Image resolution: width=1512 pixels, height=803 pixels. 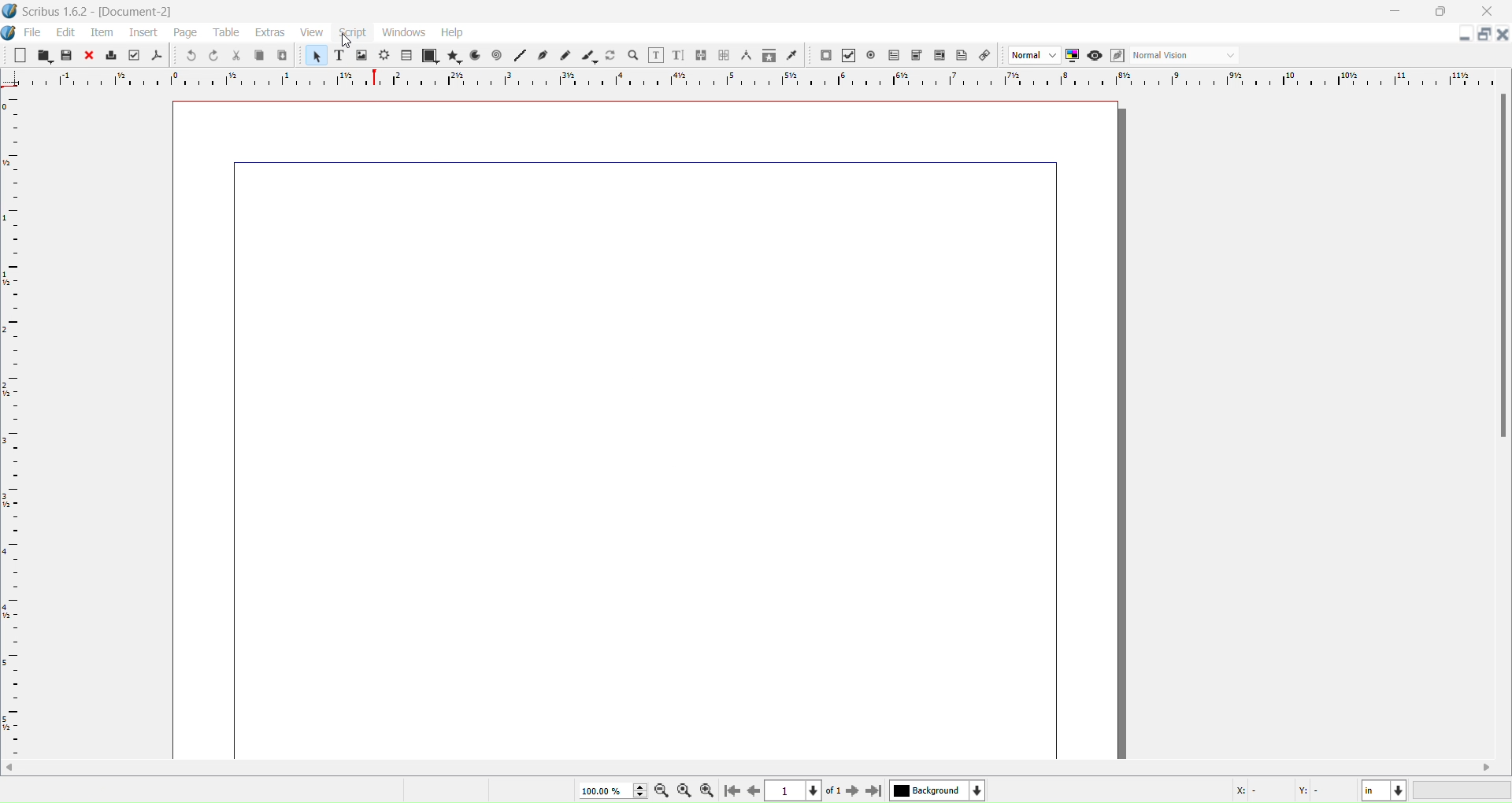 I want to click on Print, so click(x=111, y=56).